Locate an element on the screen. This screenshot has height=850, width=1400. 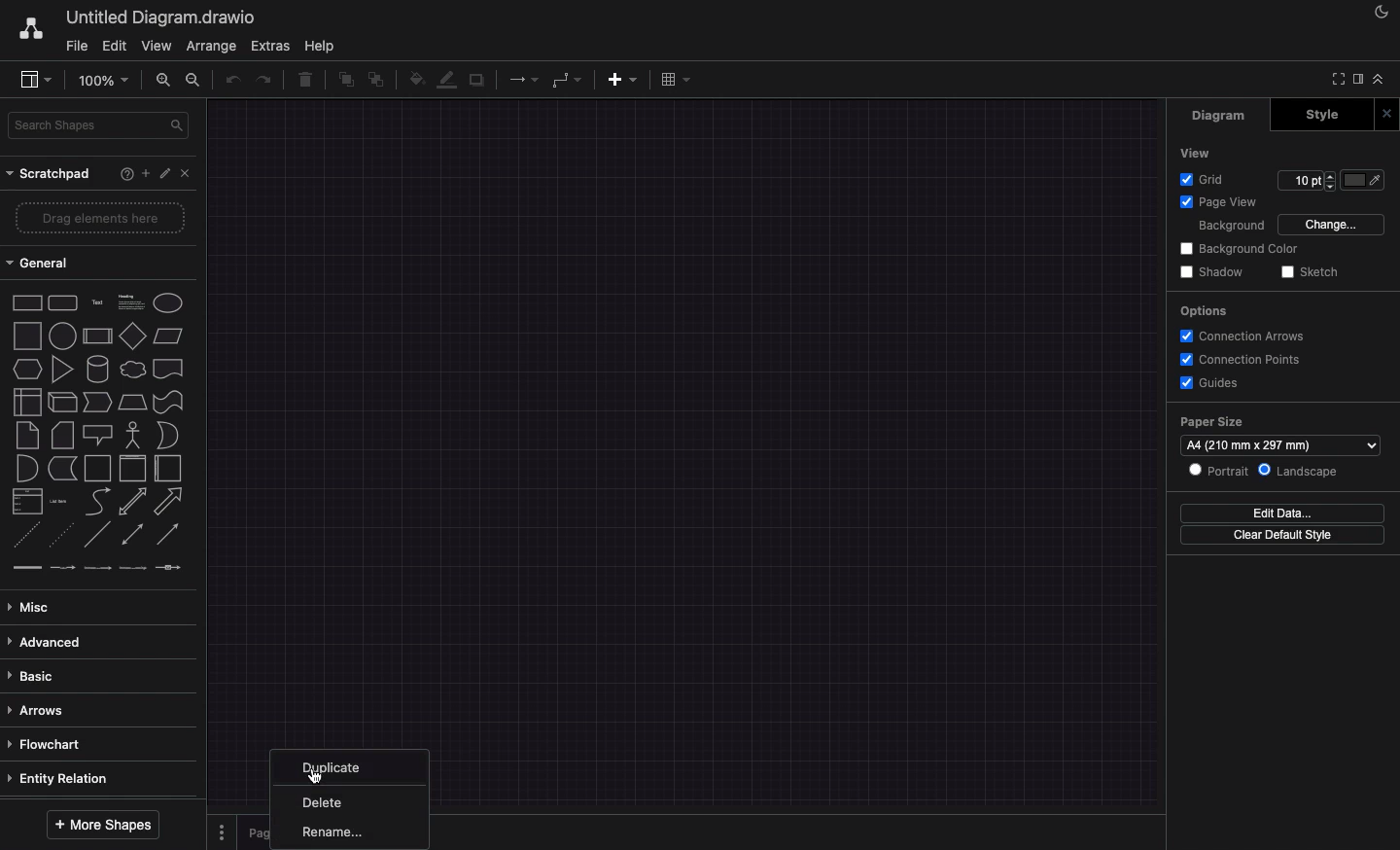
arrow is located at coordinates (169, 501).